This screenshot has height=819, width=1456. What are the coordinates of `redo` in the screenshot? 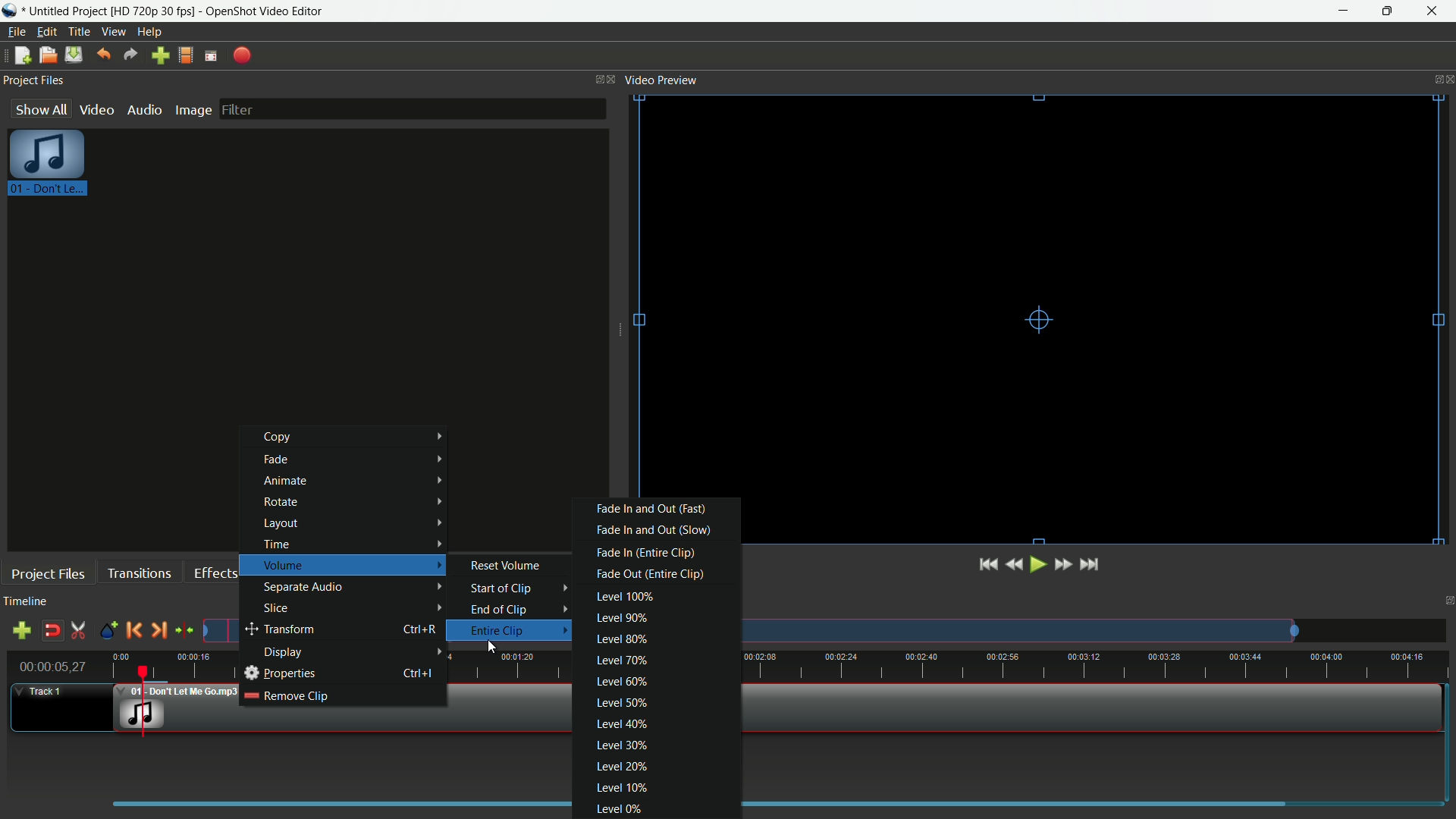 It's located at (130, 55).